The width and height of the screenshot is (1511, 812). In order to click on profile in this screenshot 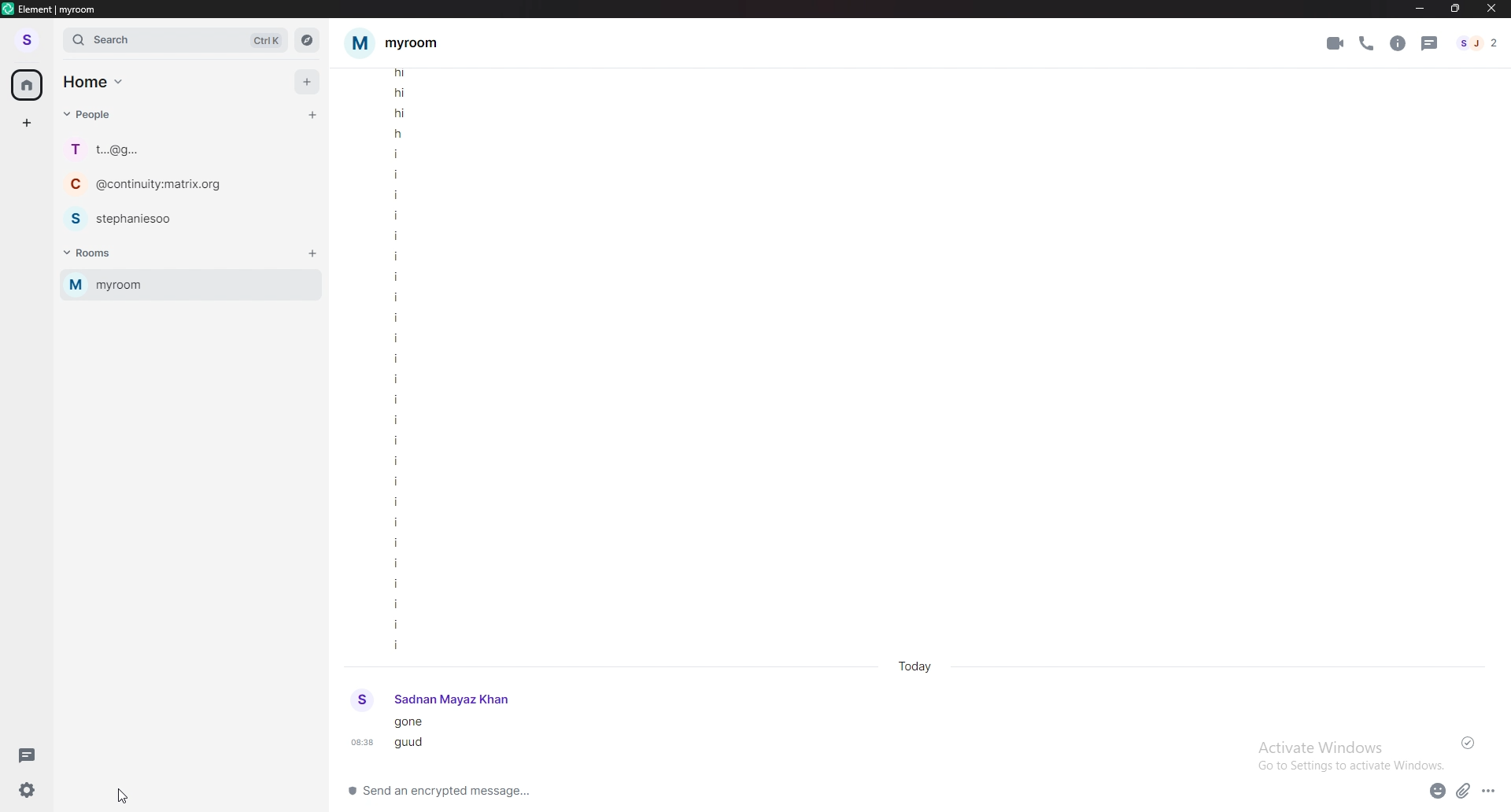, I will do `click(28, 39)`.